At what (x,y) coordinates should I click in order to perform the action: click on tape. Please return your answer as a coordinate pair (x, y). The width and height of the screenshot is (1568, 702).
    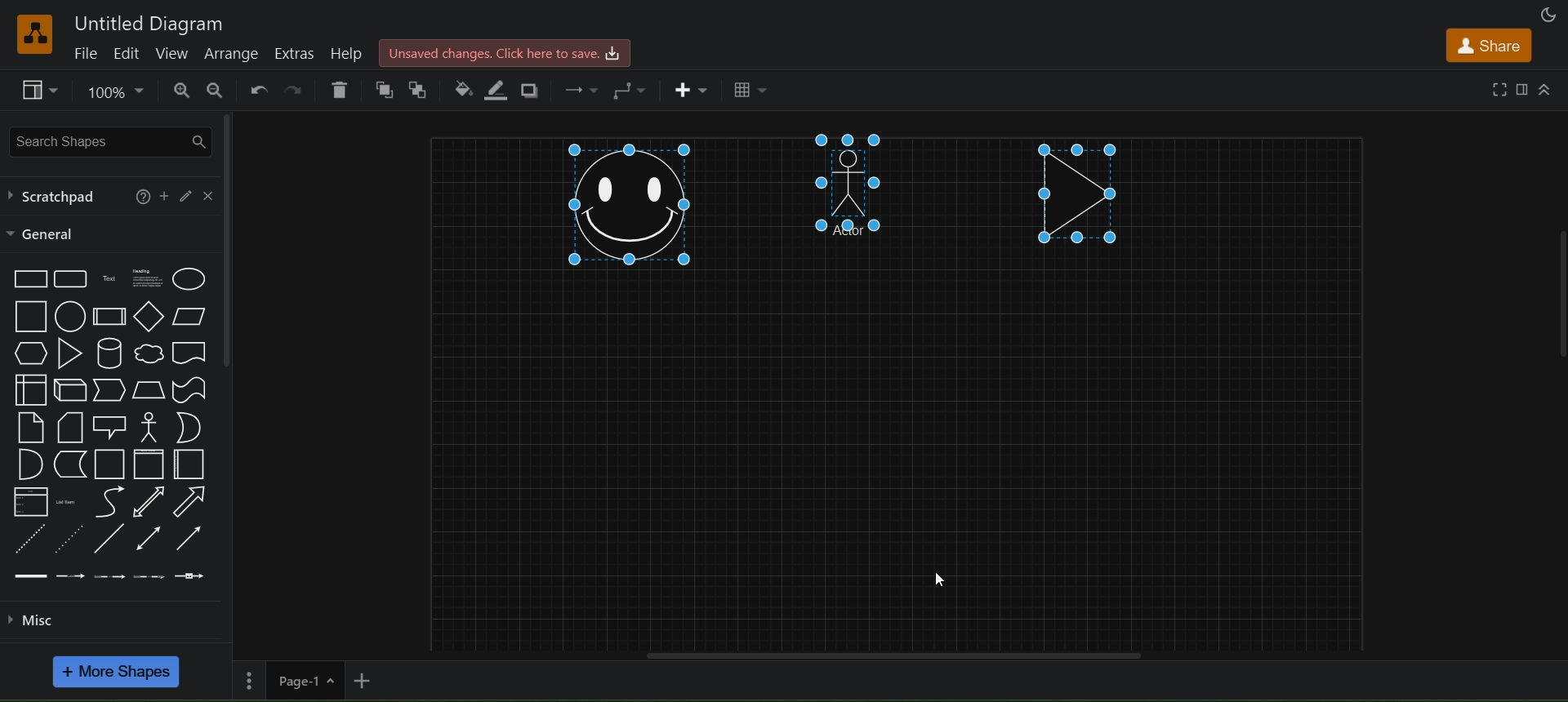
    Looking at the image, I should click on (189, 389).